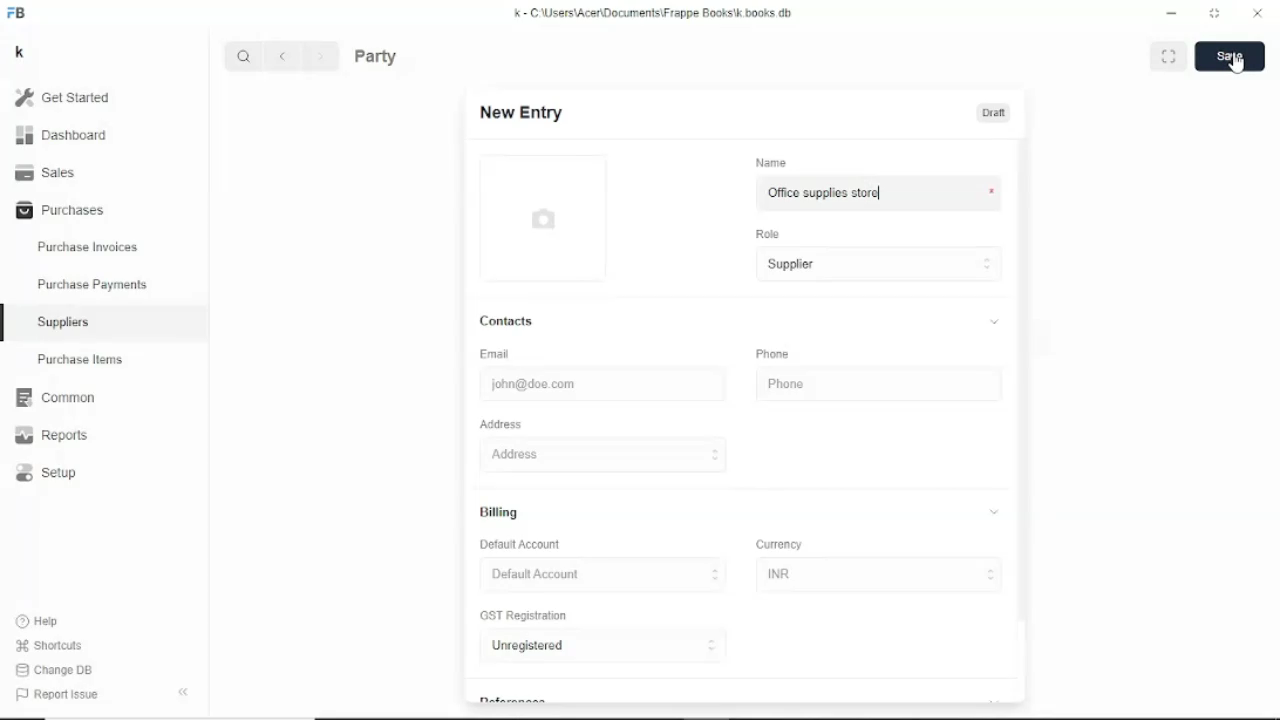  Describe the element at coordinates (501, 424) in the screenshot. I see `Address` at that location.